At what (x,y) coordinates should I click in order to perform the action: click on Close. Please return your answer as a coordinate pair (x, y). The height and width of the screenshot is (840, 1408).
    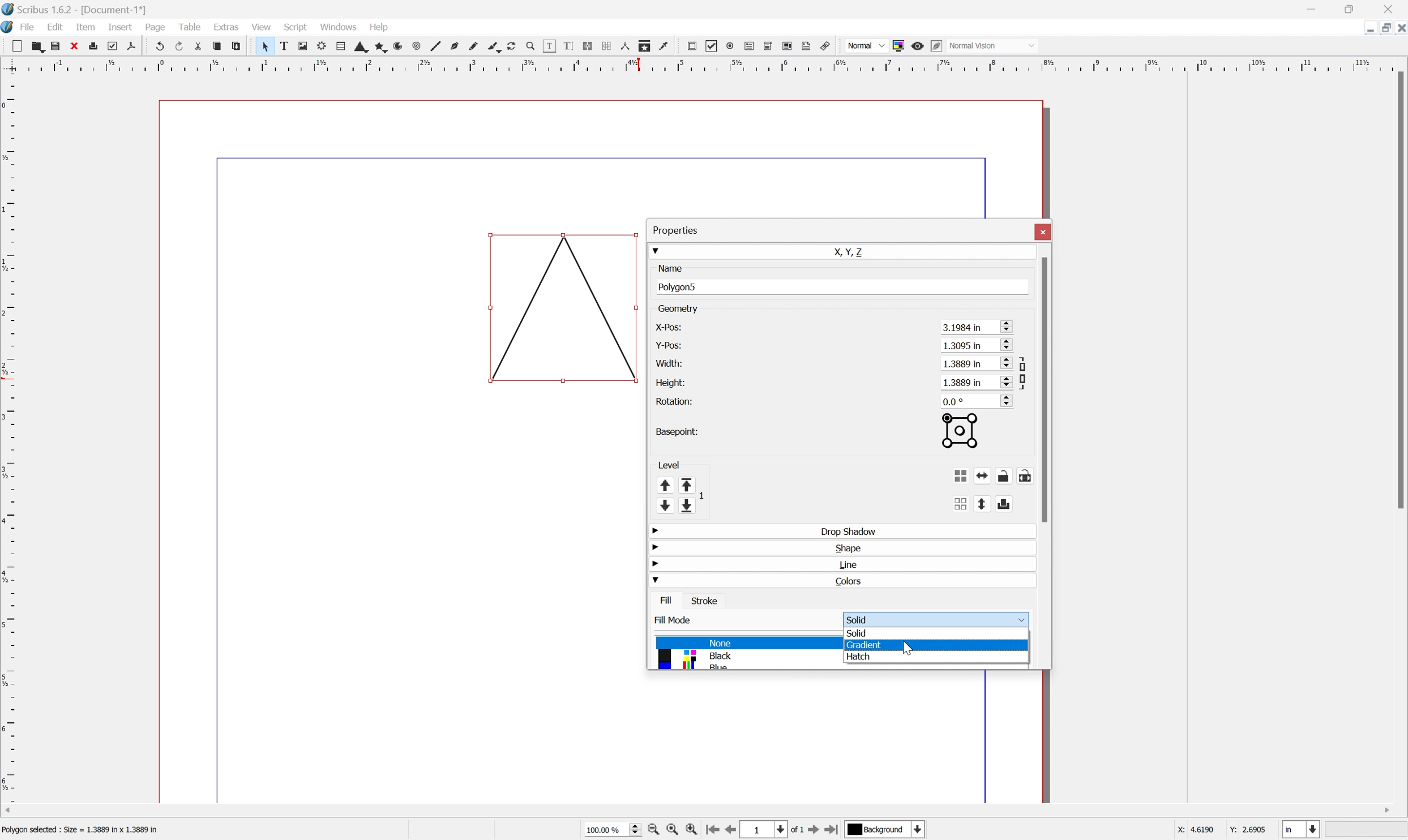
    Looking at the image, I should click on (75, 45).